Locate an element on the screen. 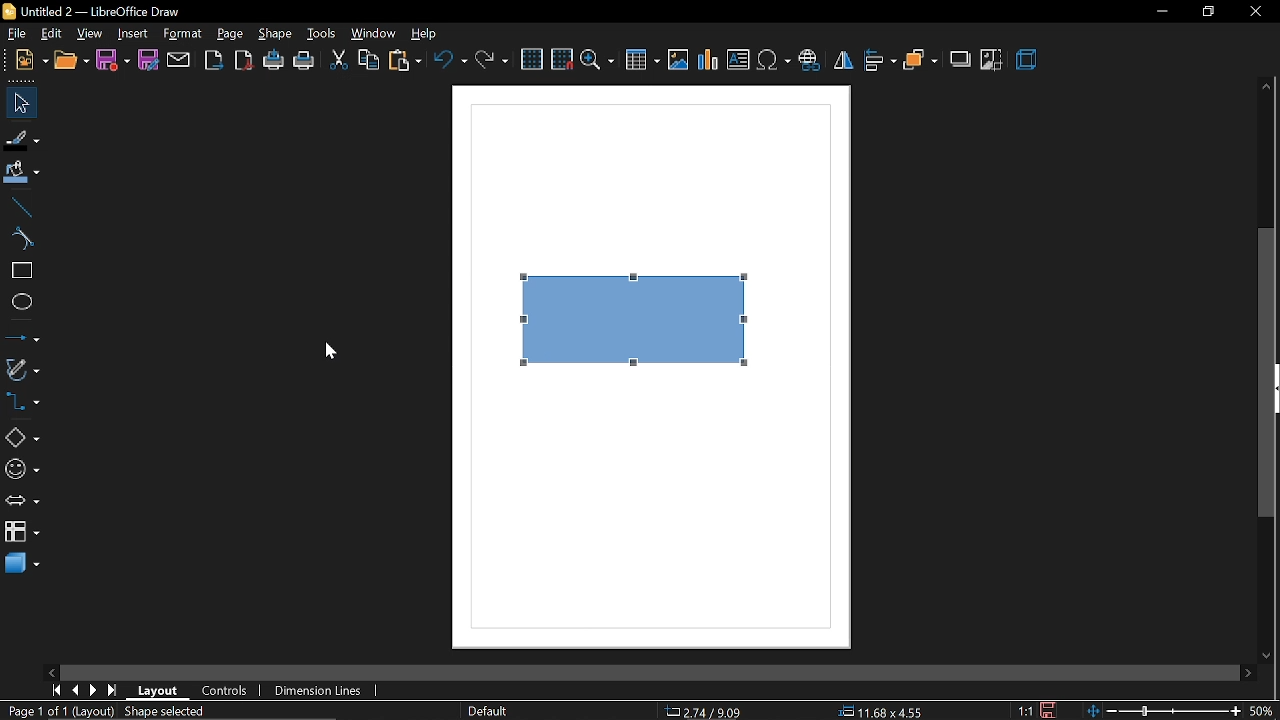 The image size is (1280, 720). curves and arrows is located at coordinates (23, 369).